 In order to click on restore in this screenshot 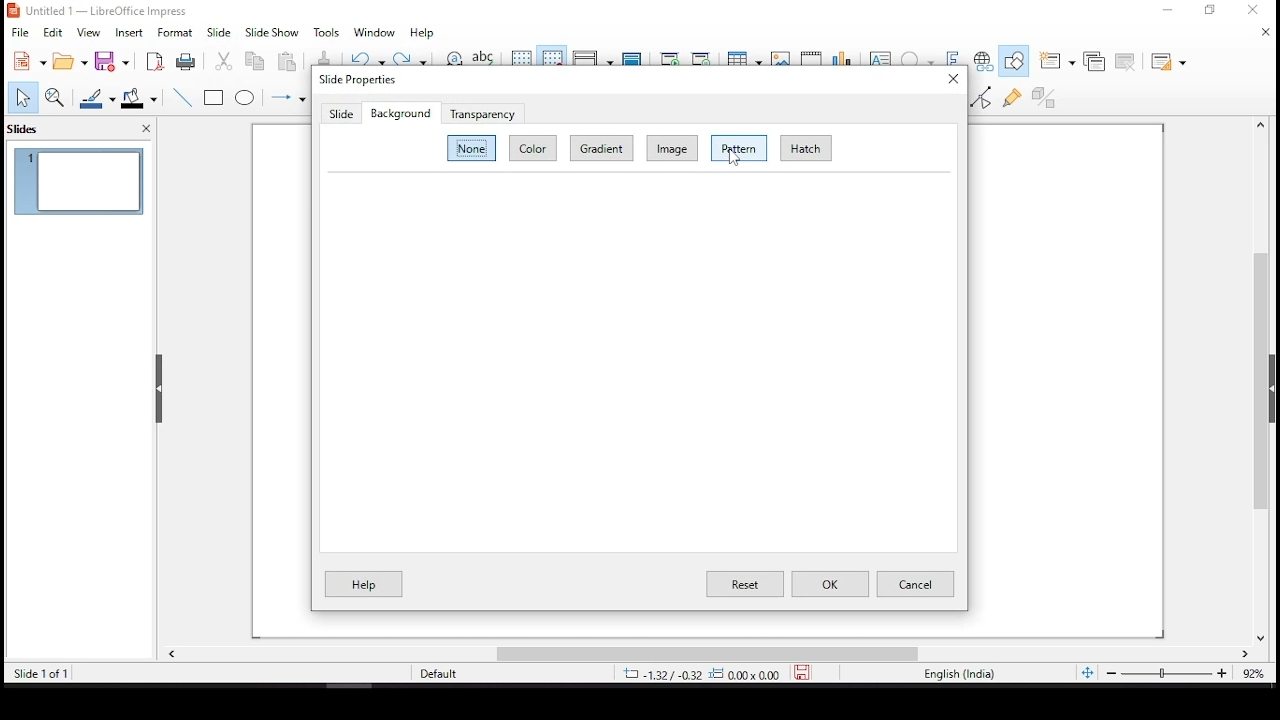, I will do `click(1210, 11)`.